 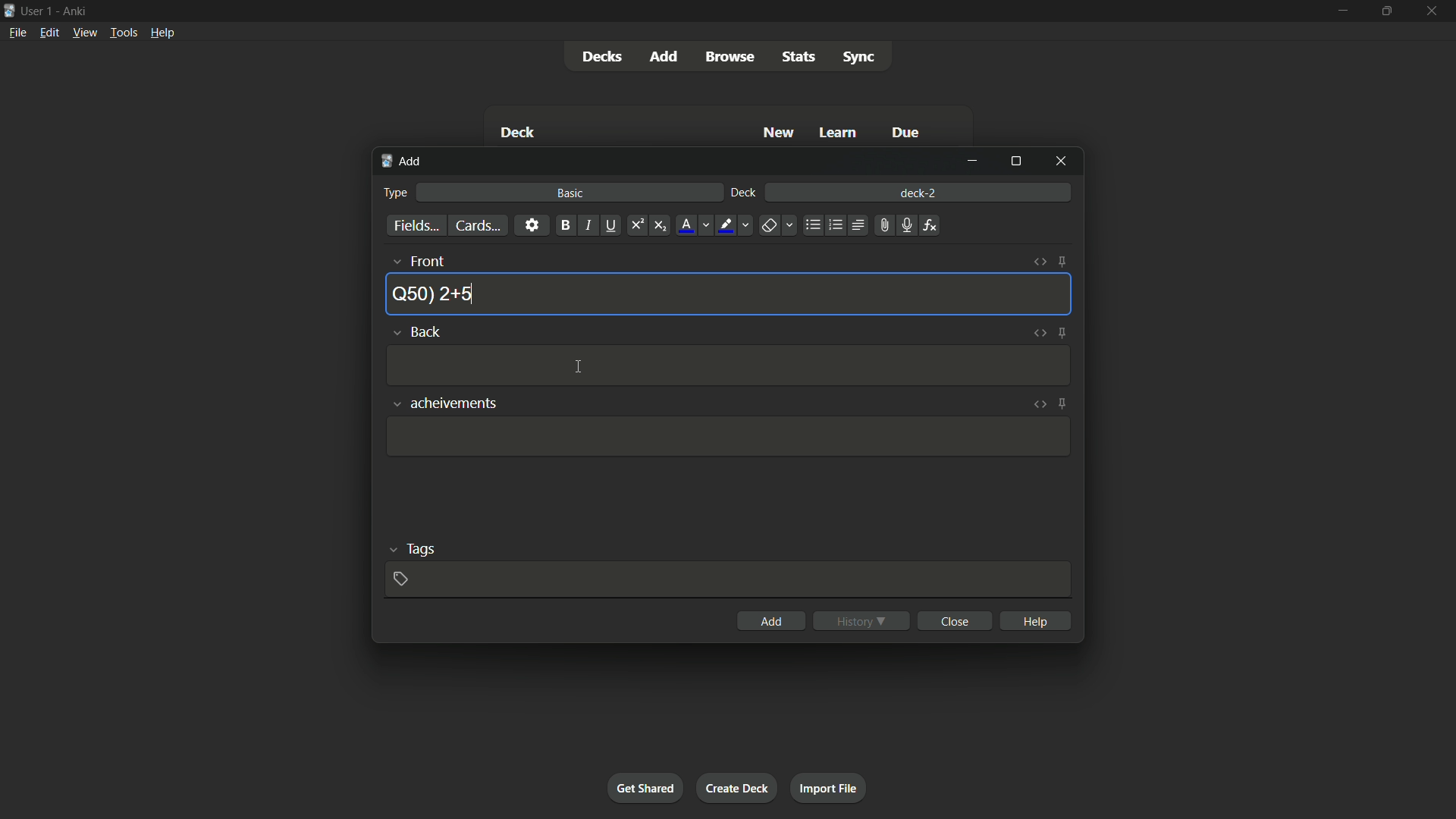 I want to click on user 1, so click(x=38, y=11).